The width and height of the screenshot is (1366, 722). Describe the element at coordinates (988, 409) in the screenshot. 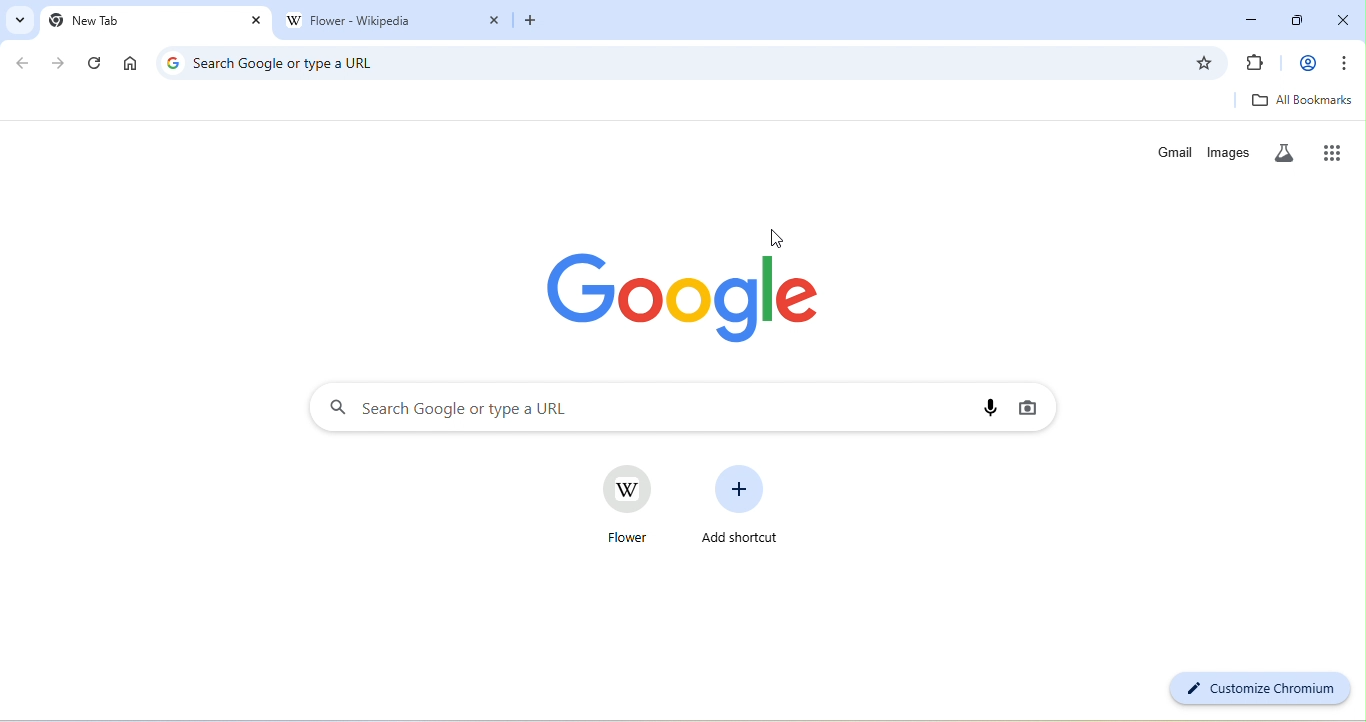

I see `search by voice` at that location.